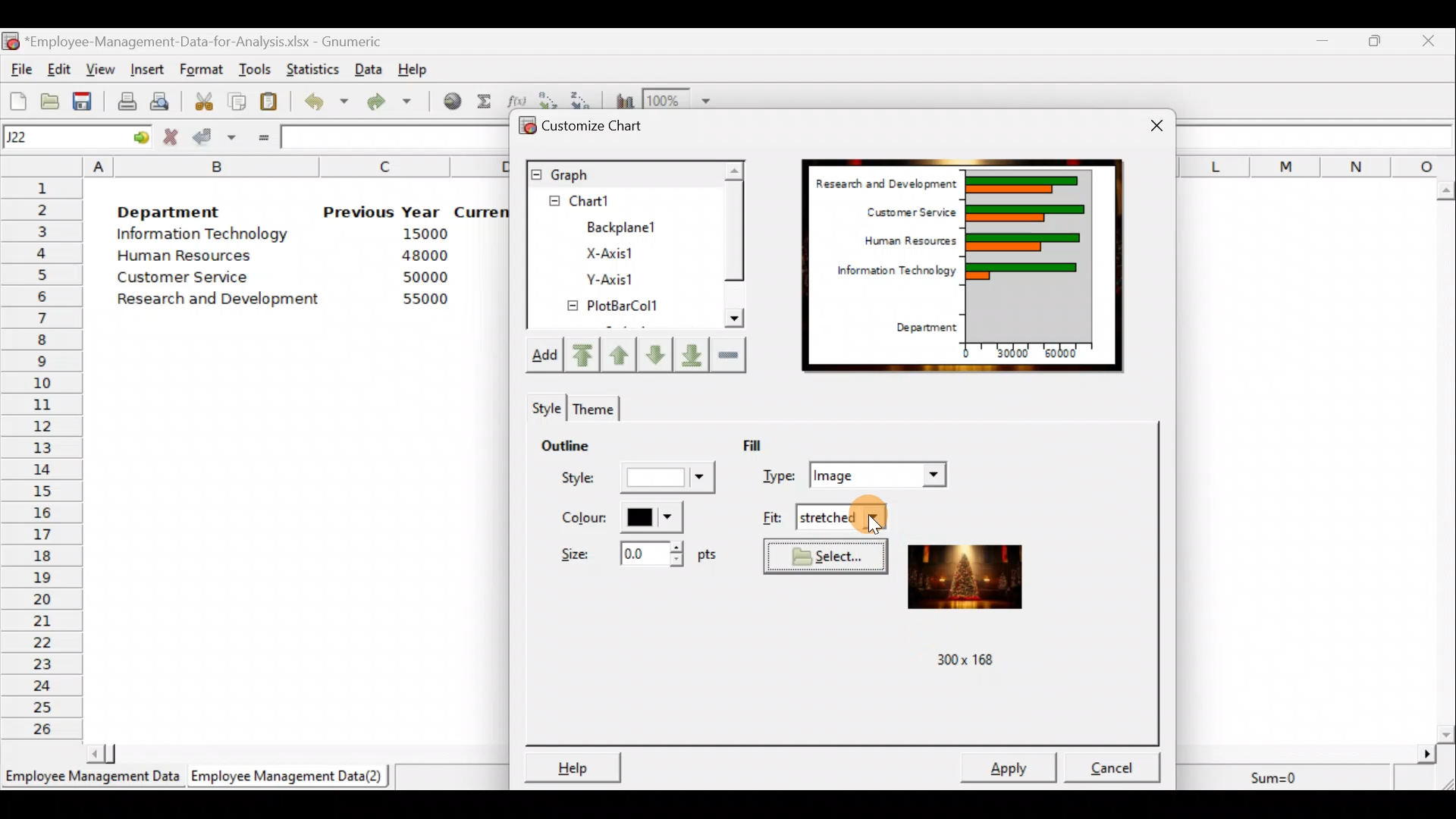 Image resolution: width=1456 pixels, height=819 pixels. Describe the element at coordinates (883, 180) in the screenshot. I see `Research and Development` at that location.